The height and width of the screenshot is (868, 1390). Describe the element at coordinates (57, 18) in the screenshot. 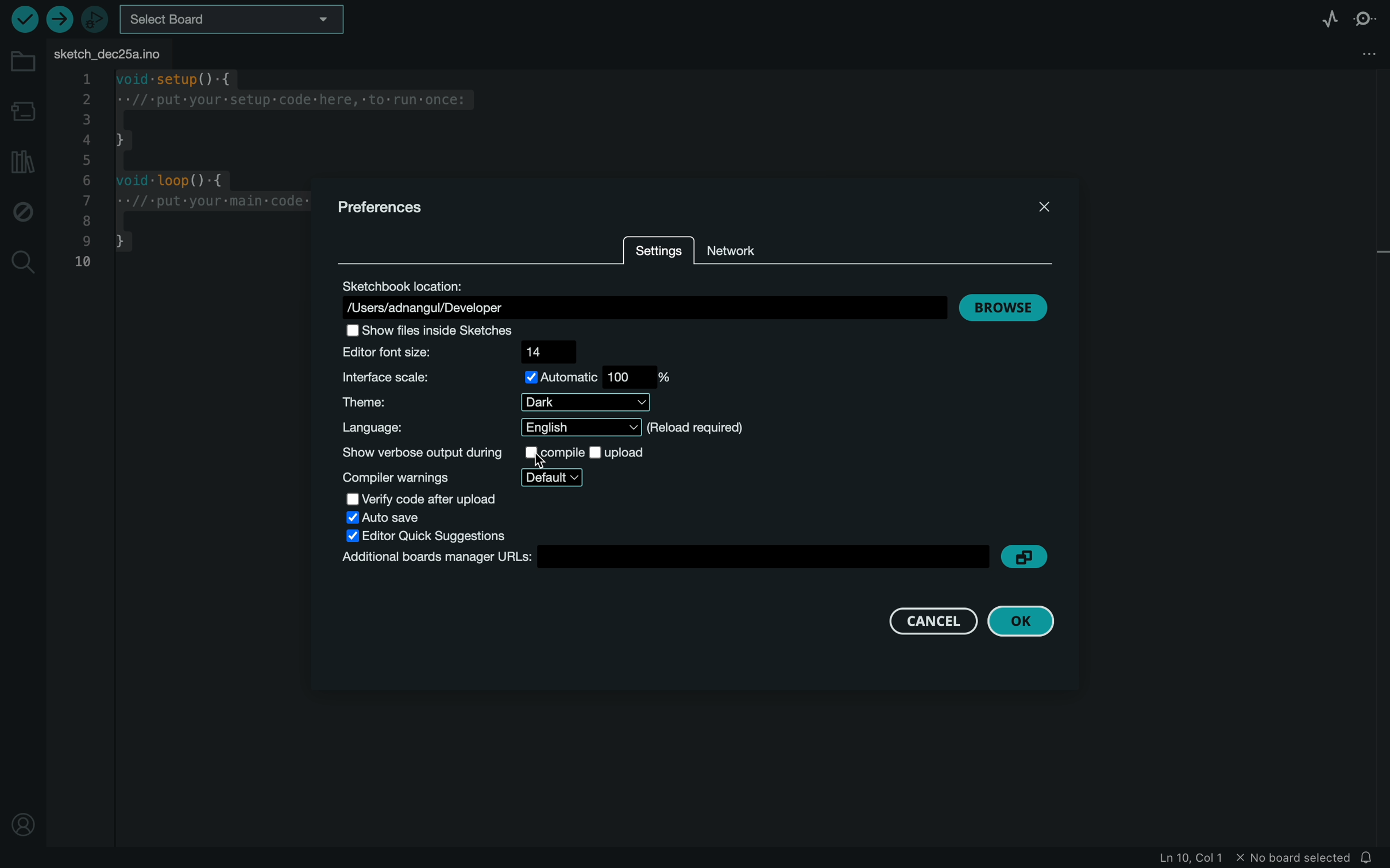

I see `upload` at that location.